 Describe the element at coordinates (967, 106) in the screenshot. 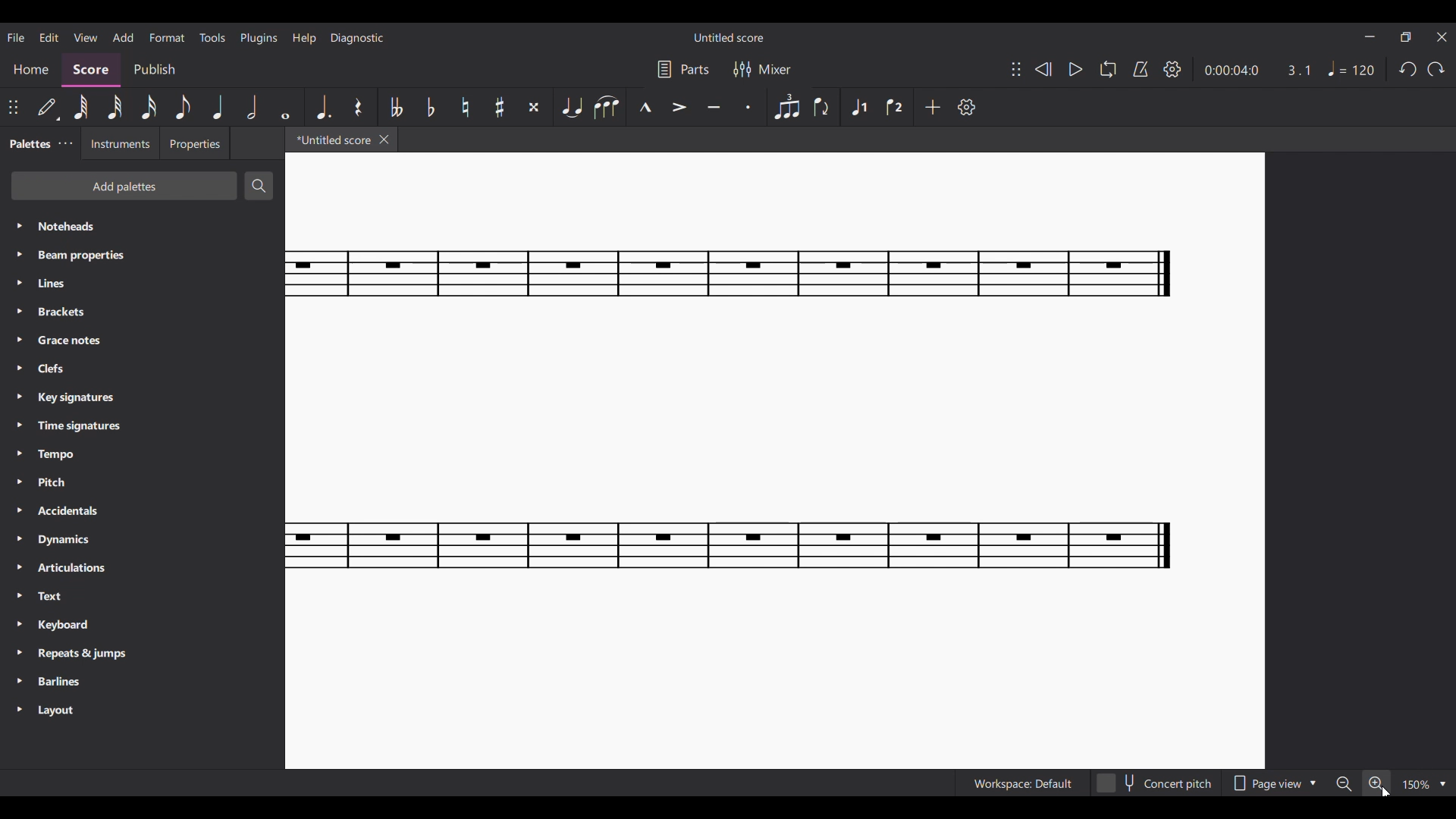

I see `Settings` at that location.